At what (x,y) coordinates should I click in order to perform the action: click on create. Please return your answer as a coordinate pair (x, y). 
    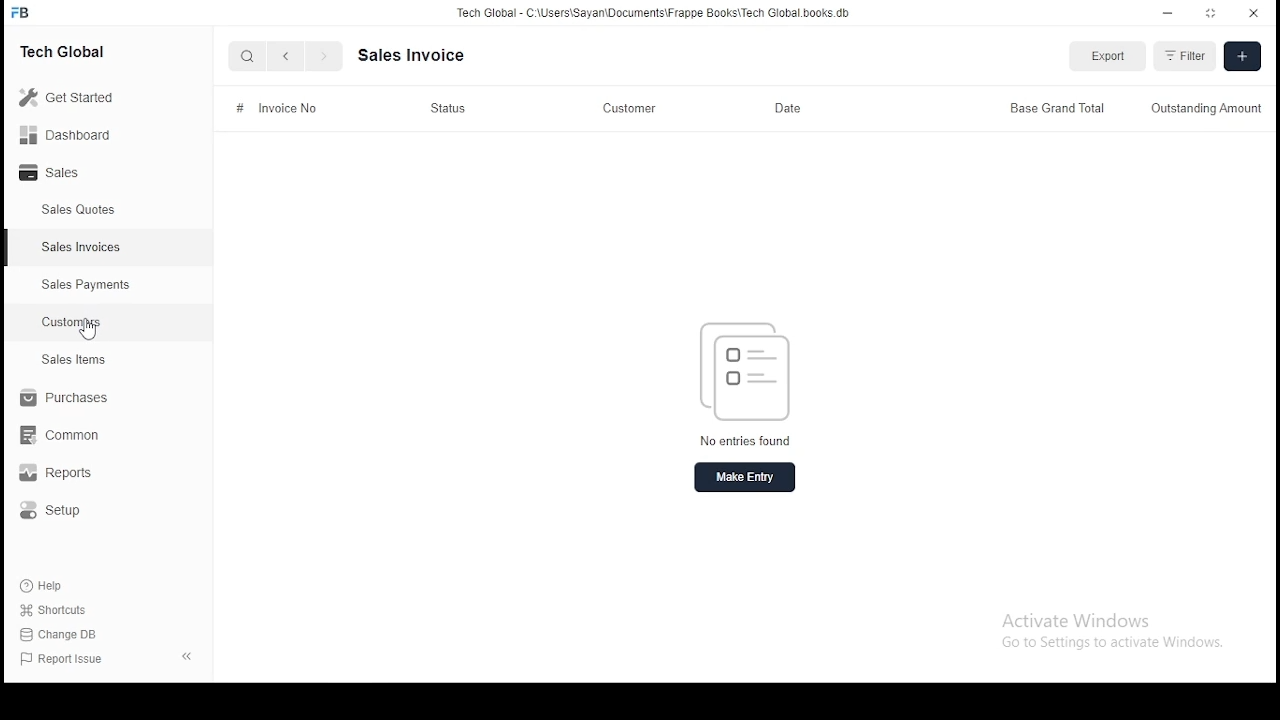
    Looking at the image, I should click on (1241, 56).